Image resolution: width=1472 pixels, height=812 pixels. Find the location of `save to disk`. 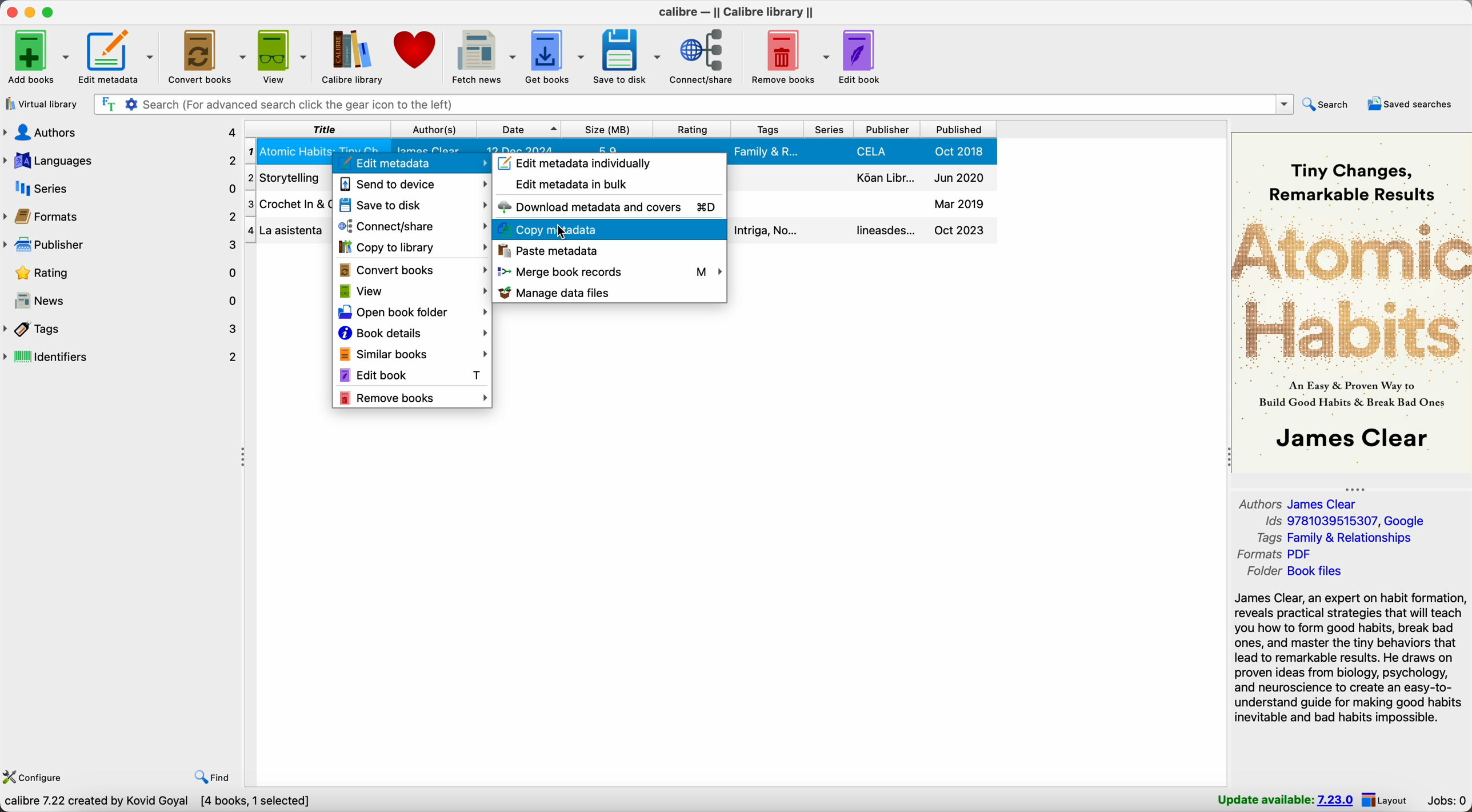

save to disk is located at coordinates (414, 206).